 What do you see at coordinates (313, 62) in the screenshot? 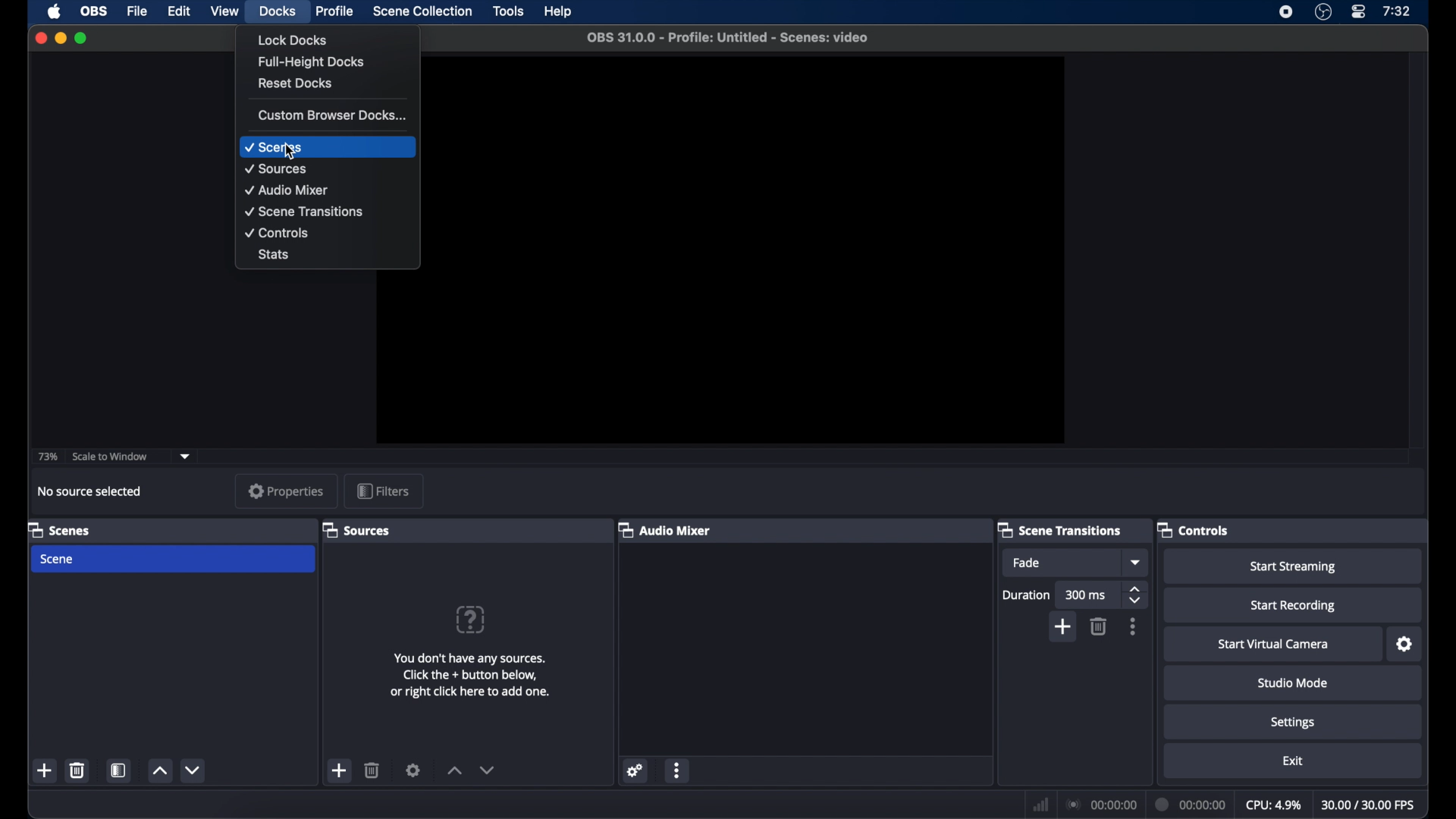
I see `full-height docks` at bounding box center [313, 62].